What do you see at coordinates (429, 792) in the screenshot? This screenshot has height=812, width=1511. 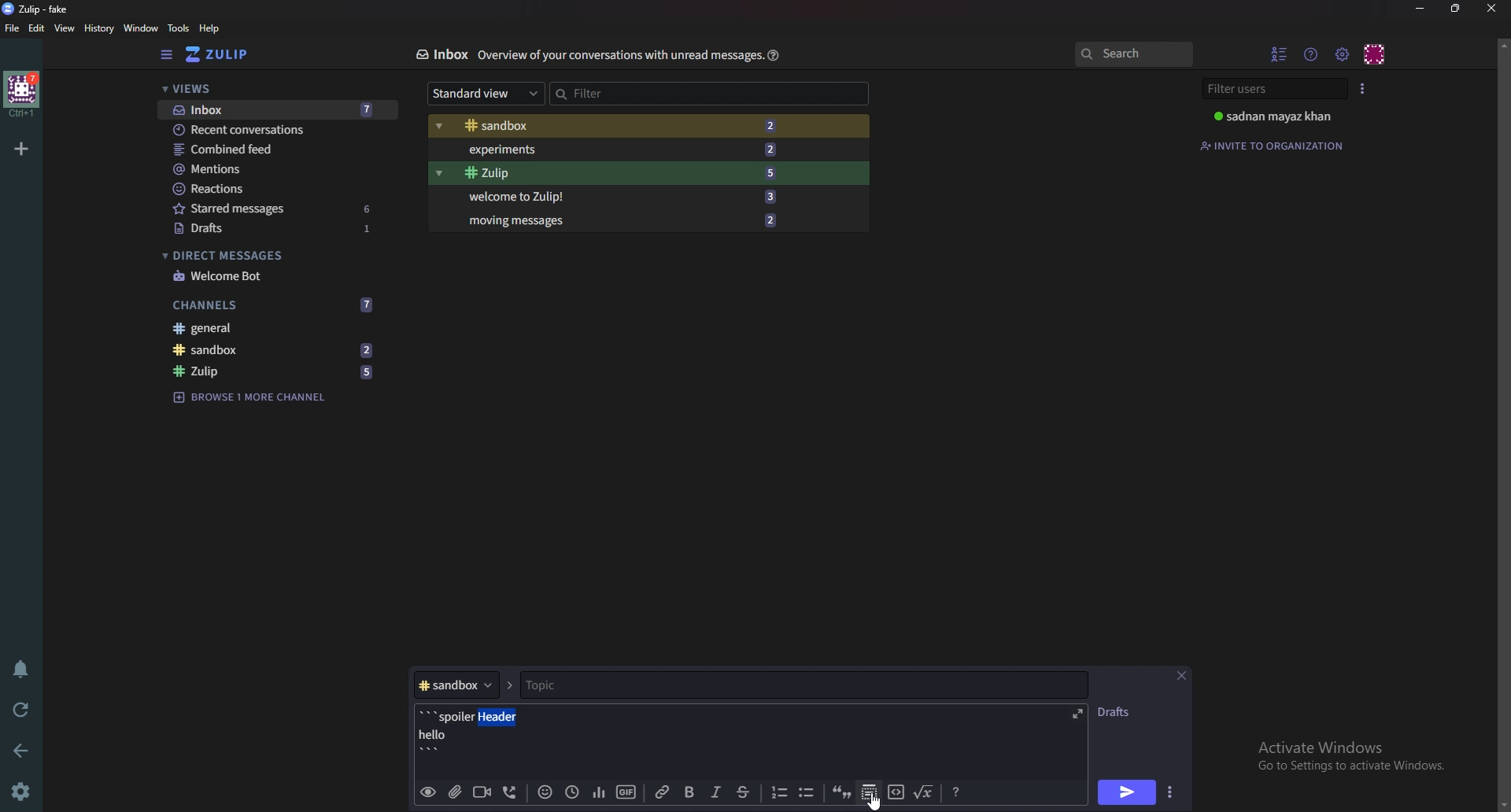 I see `Preview` at bounding box center [429, 792].